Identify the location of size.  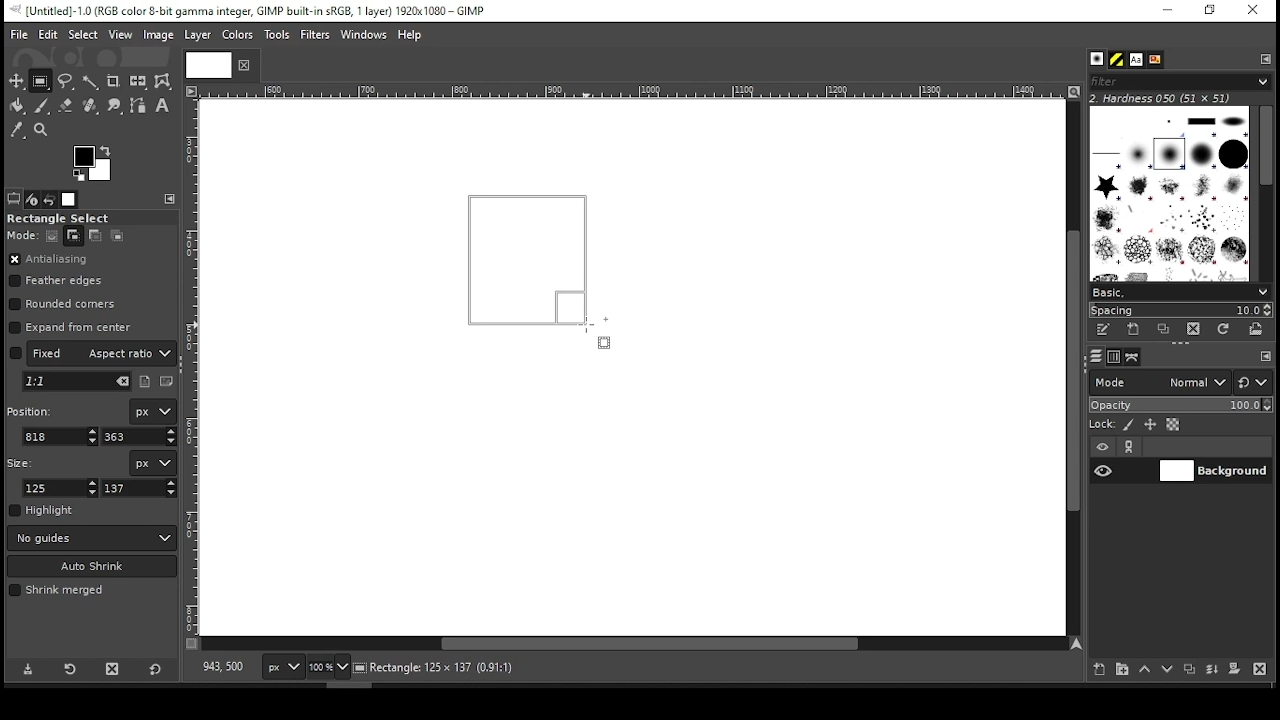
(24, 461).